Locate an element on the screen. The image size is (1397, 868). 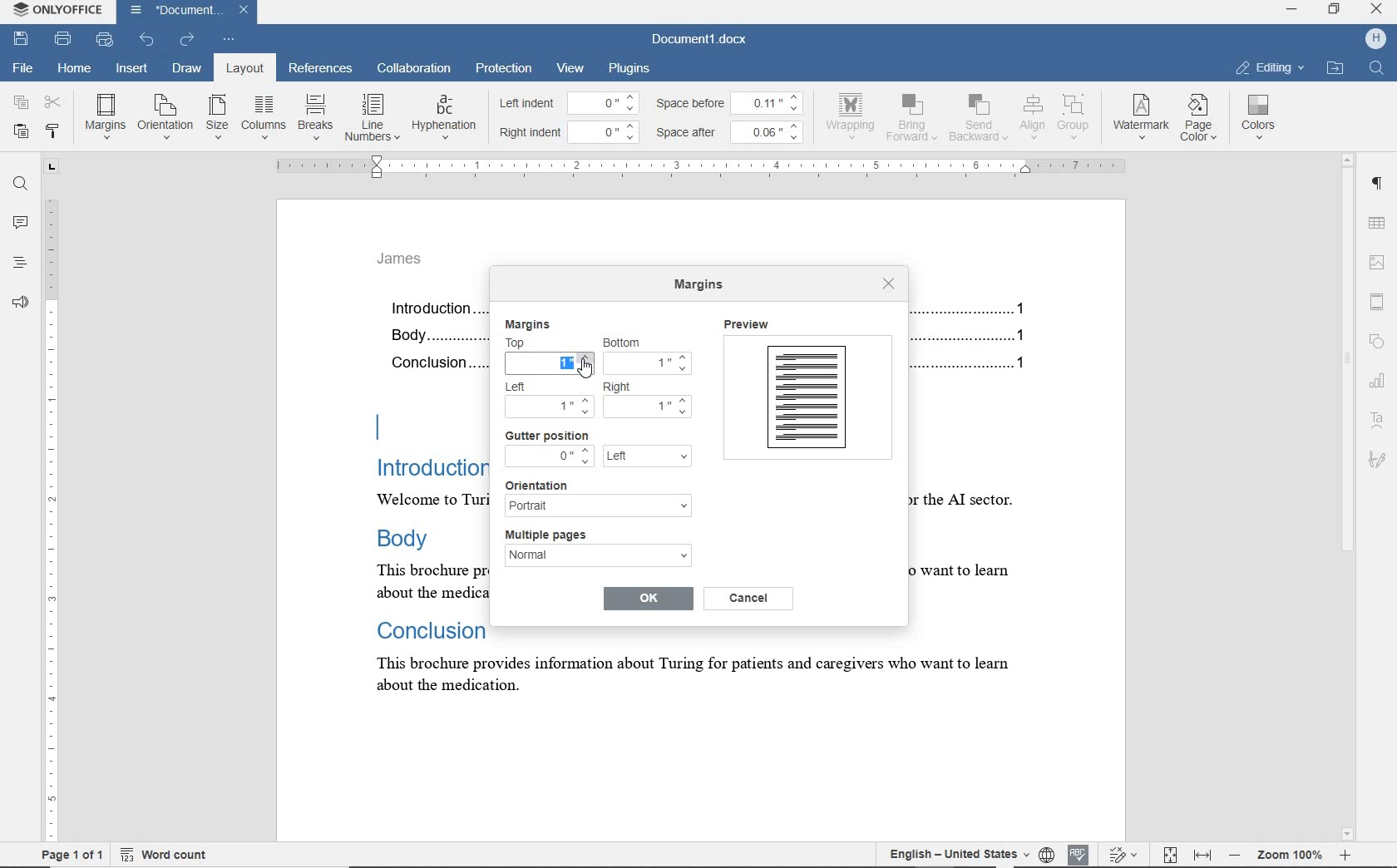
cut is located at coordinates (54, 101).